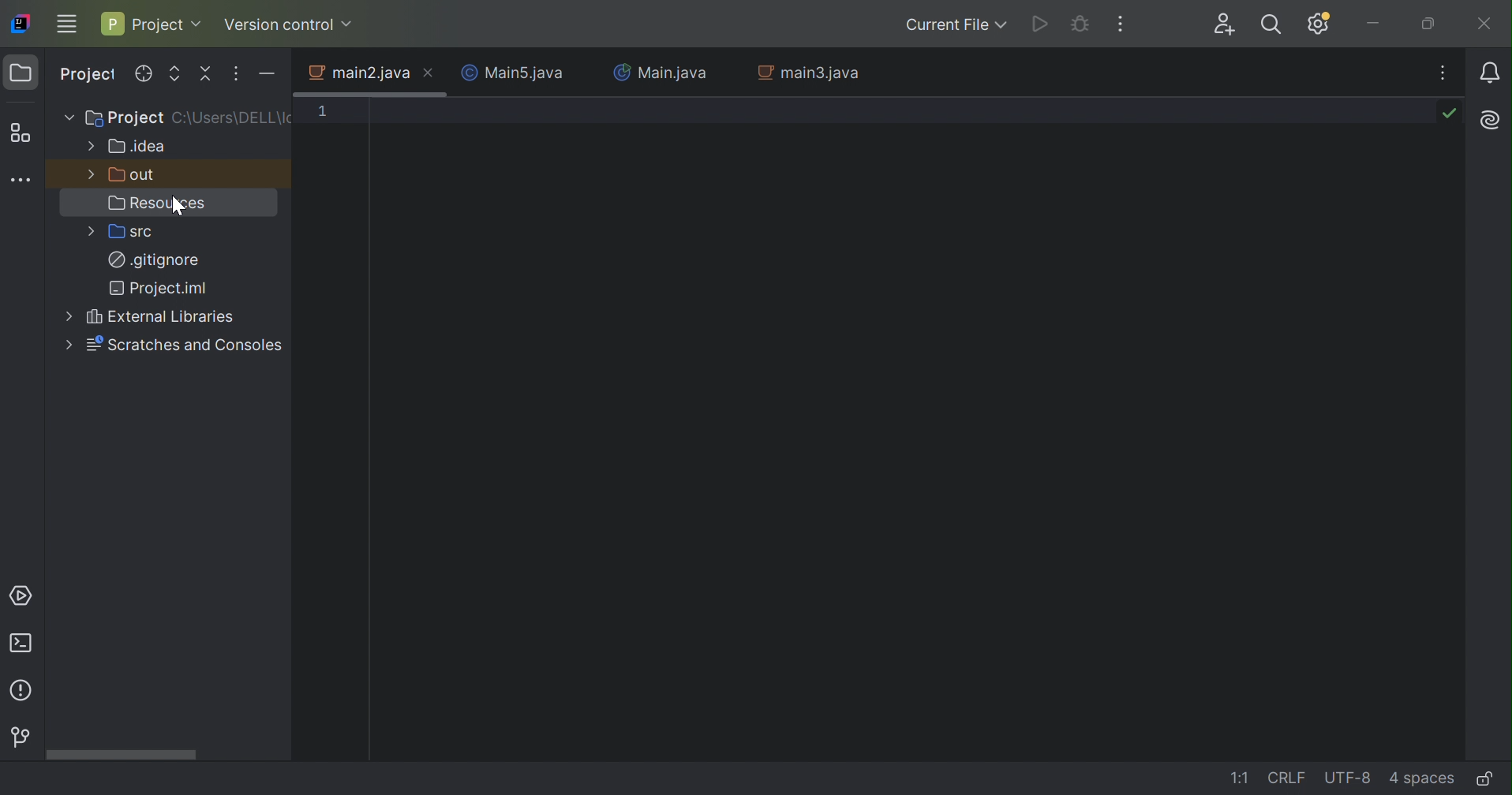 The height and width of the screenshot is (795, 1512). Describe the element at coordinates (25, 180) in the screenshot. I see `More tool windows` at that location.